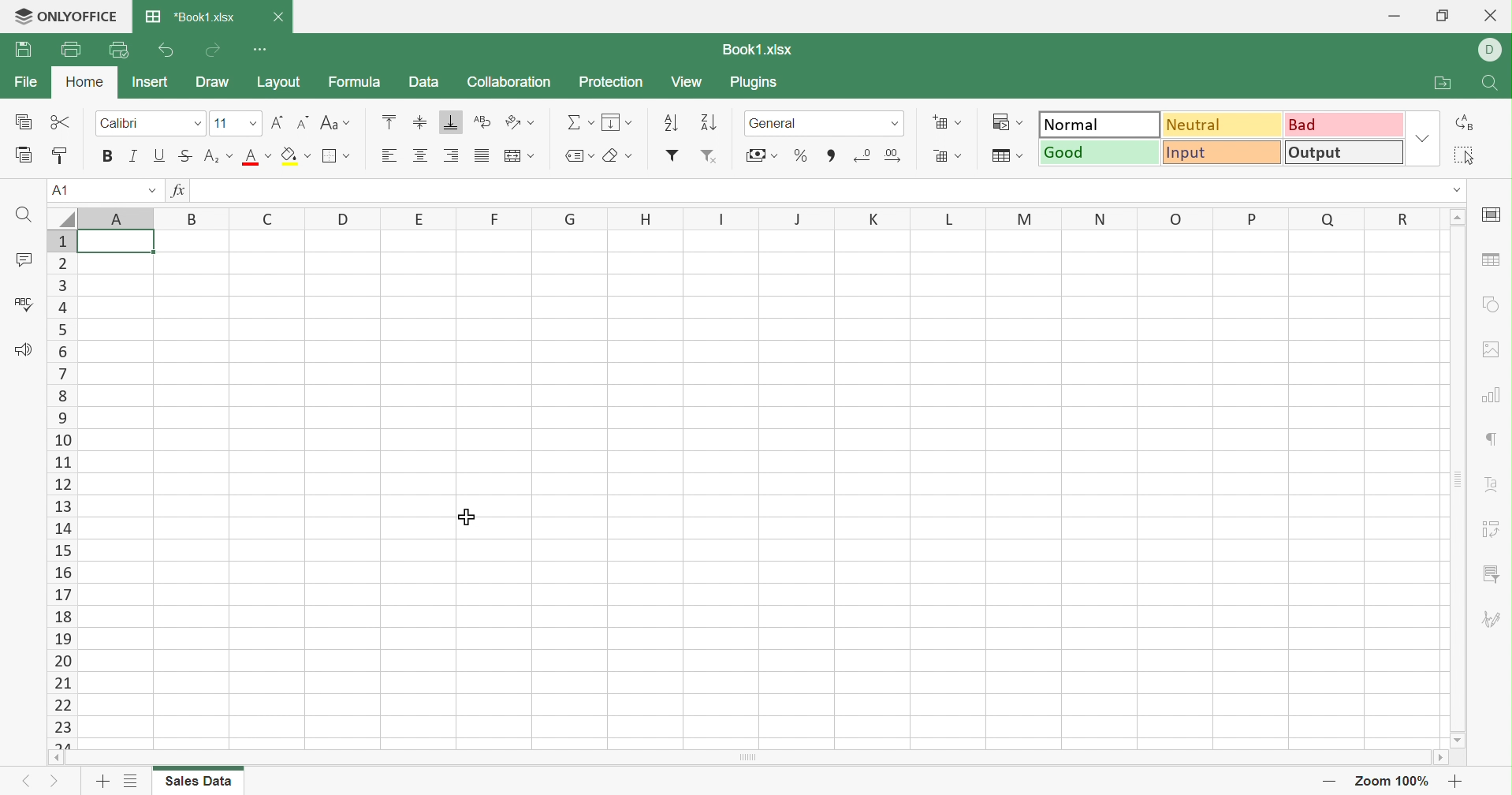 Image resolution: width=1512 pixels, height=795 pixels. What do you see at coordinates (29, 779) in the screenshot?
I see `Previous` at bounding box center [29, 779].